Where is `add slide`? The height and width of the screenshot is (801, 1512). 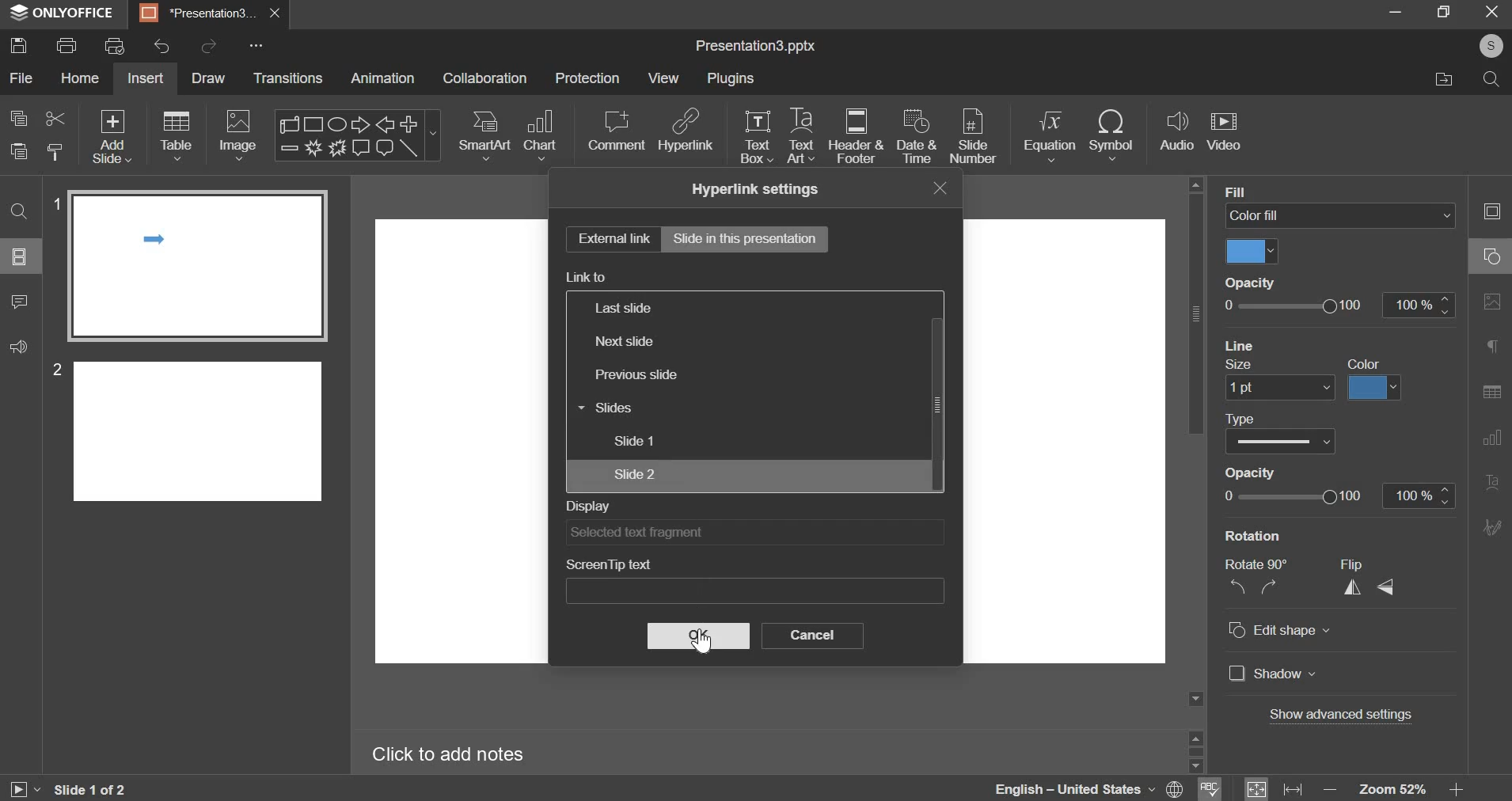 add slide is located at coordinates (112, 136).